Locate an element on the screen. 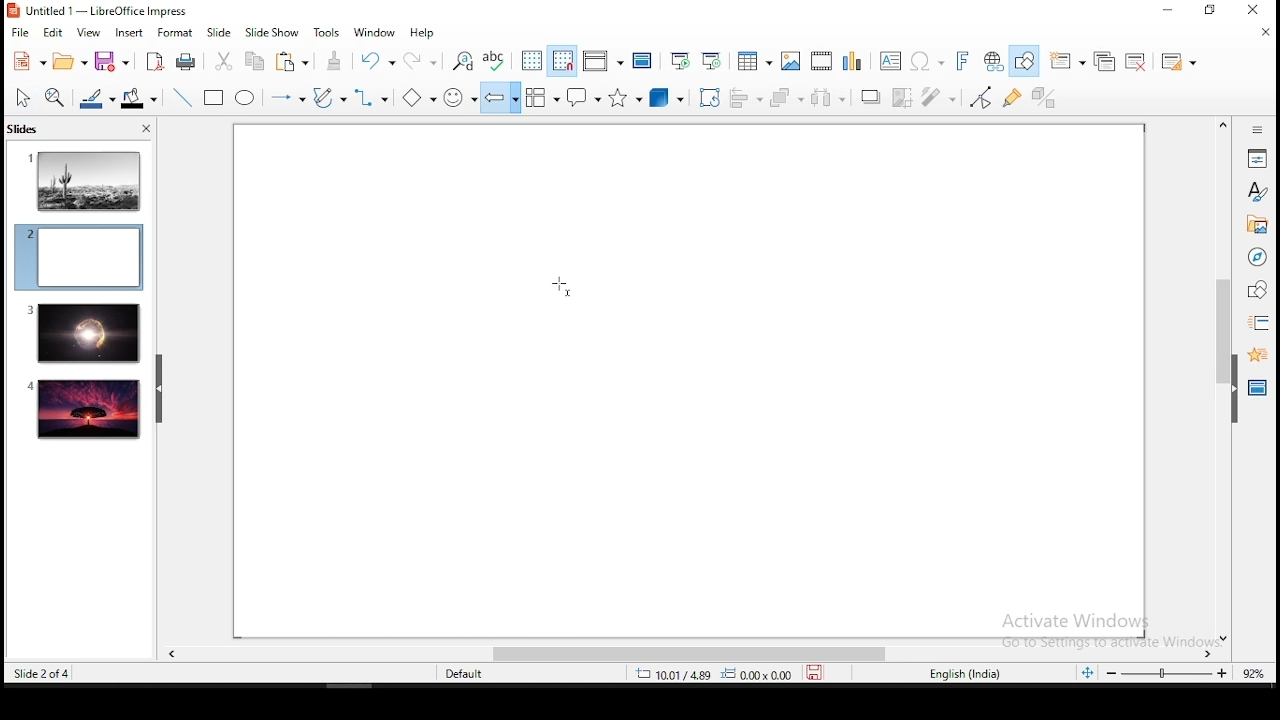  animation is located at coordinates (1255, 353).